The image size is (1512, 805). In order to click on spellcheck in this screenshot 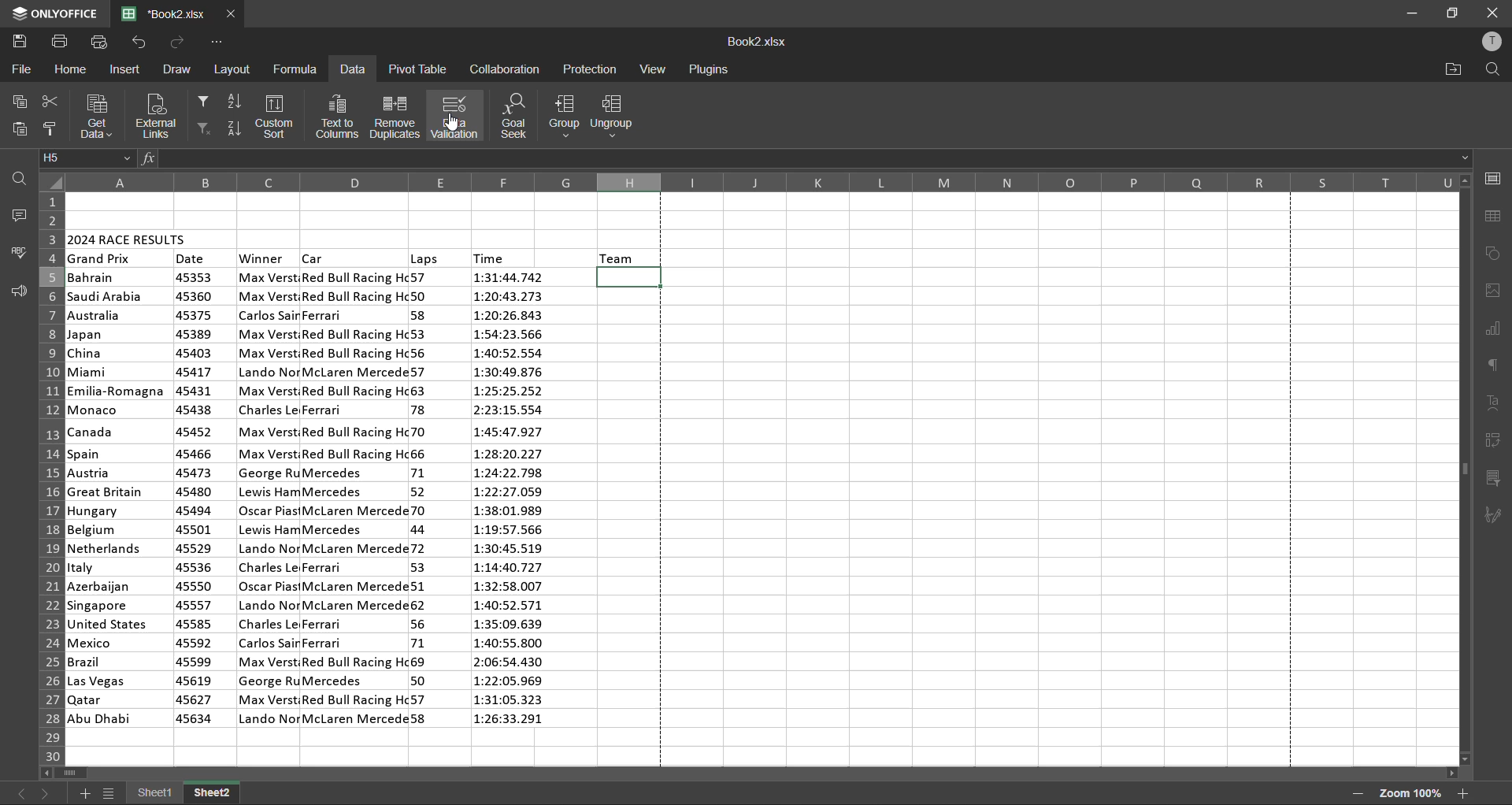, I will do `click(20, 252)`.